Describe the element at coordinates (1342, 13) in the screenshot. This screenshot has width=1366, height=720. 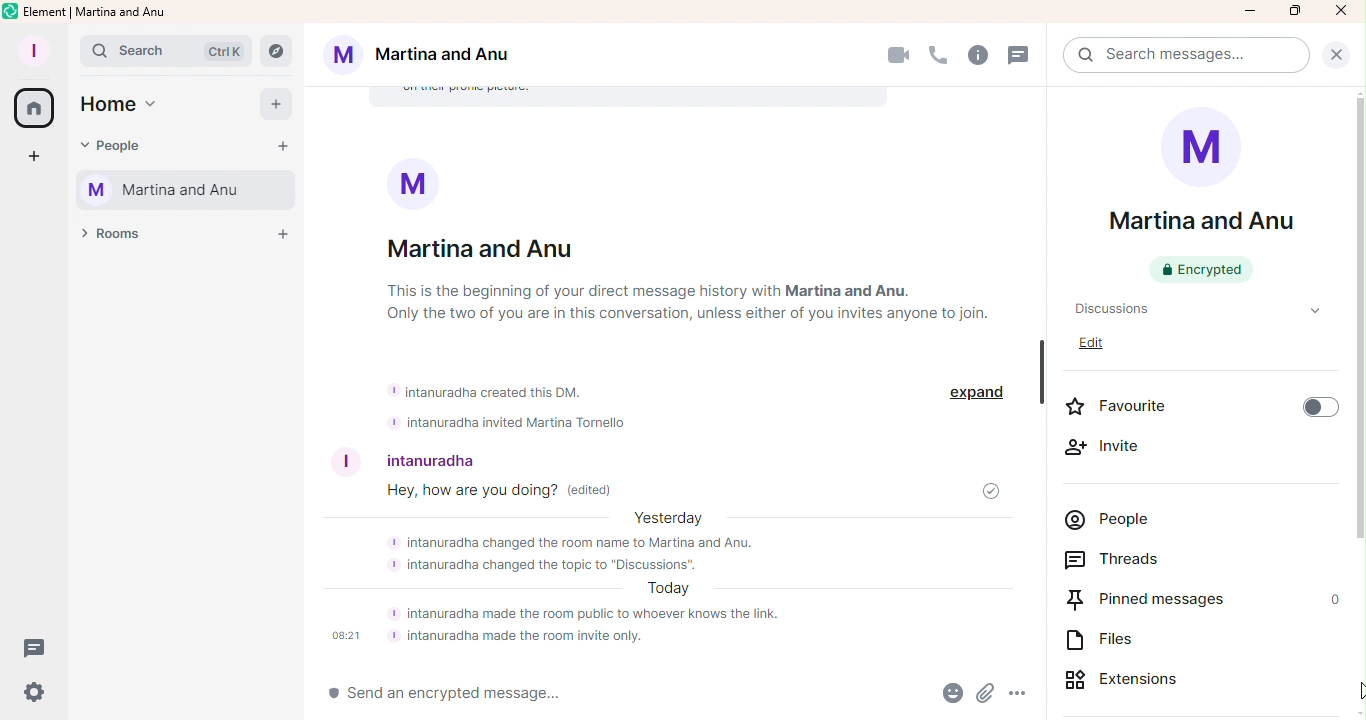
I see `Close` at that location.